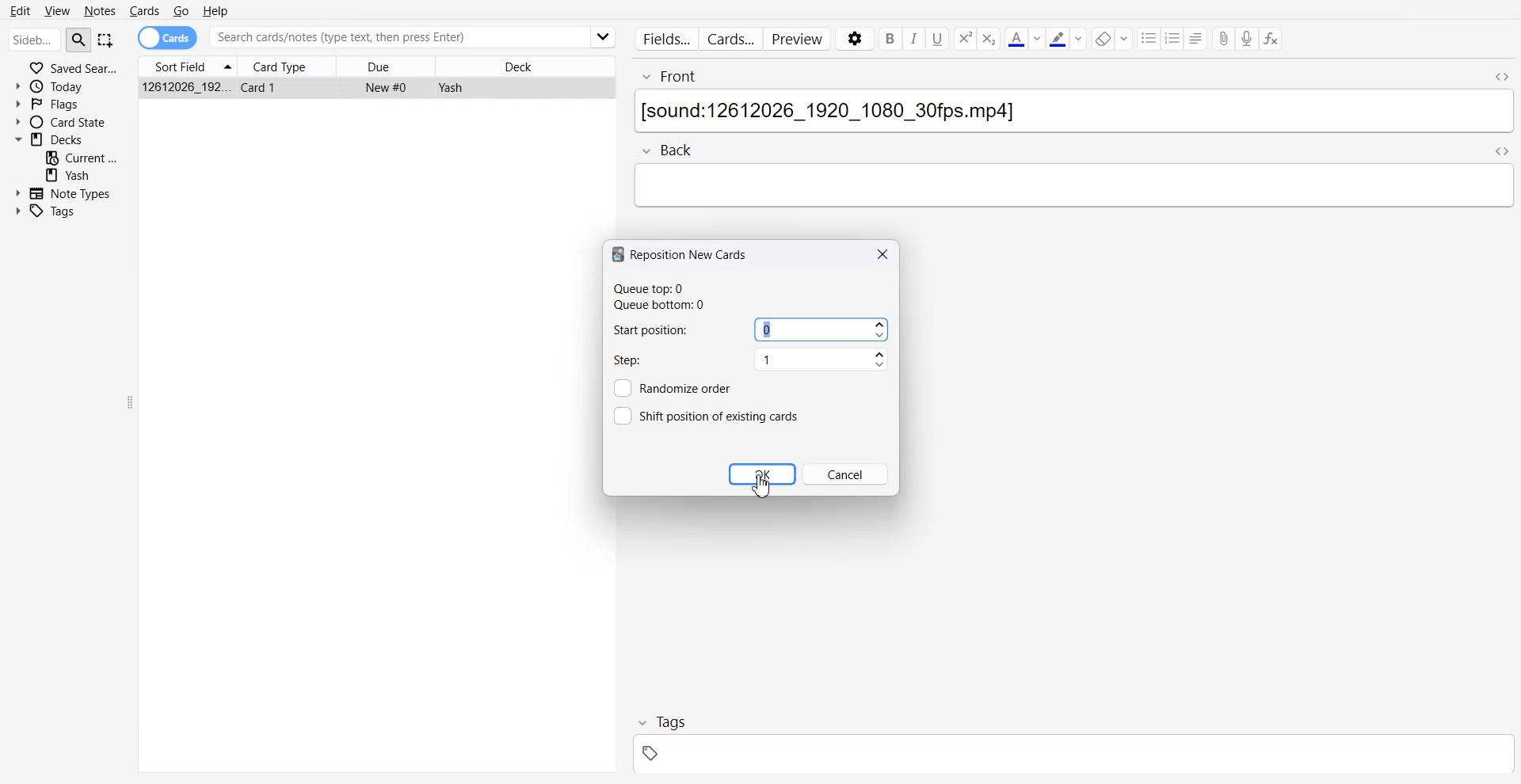 The image size is (1521, 784). I want to click on Notes, so click(100, 10).